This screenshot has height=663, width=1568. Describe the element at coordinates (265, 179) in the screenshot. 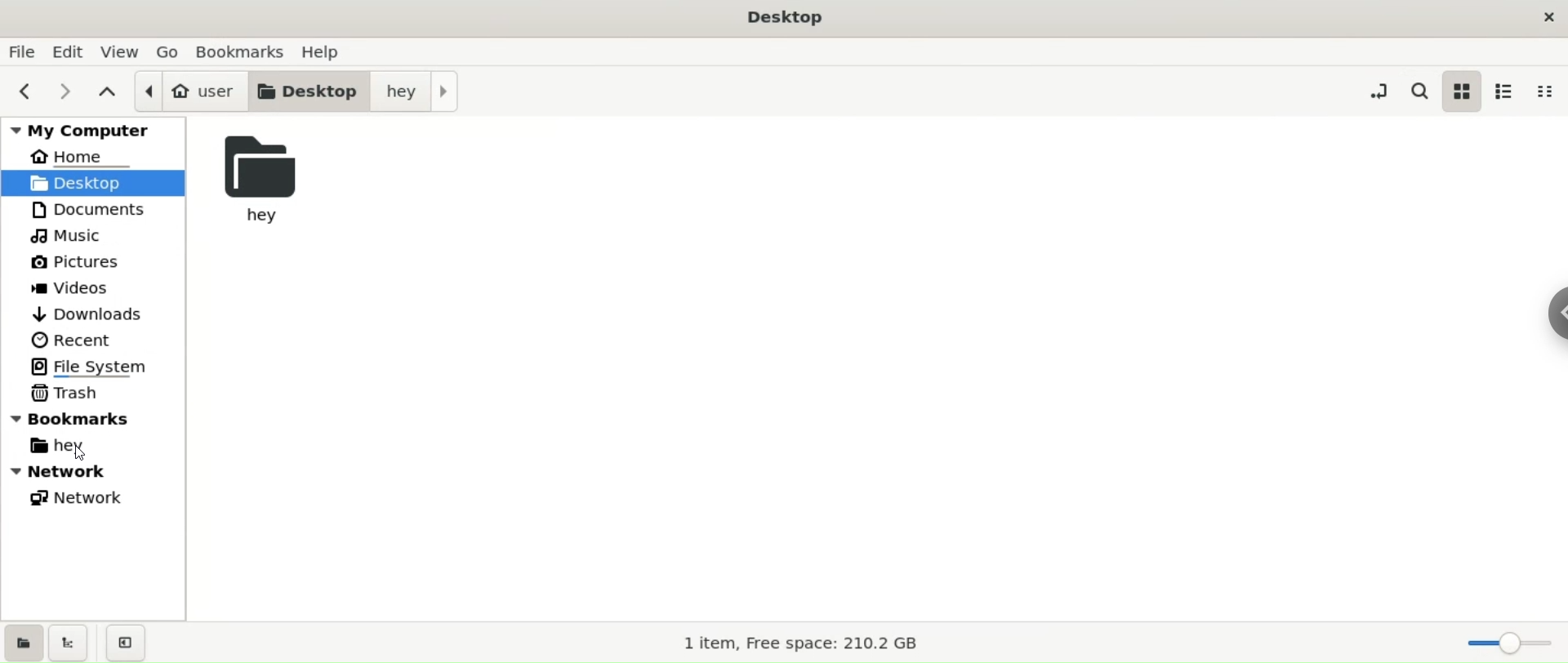

I see `hey` at that location.